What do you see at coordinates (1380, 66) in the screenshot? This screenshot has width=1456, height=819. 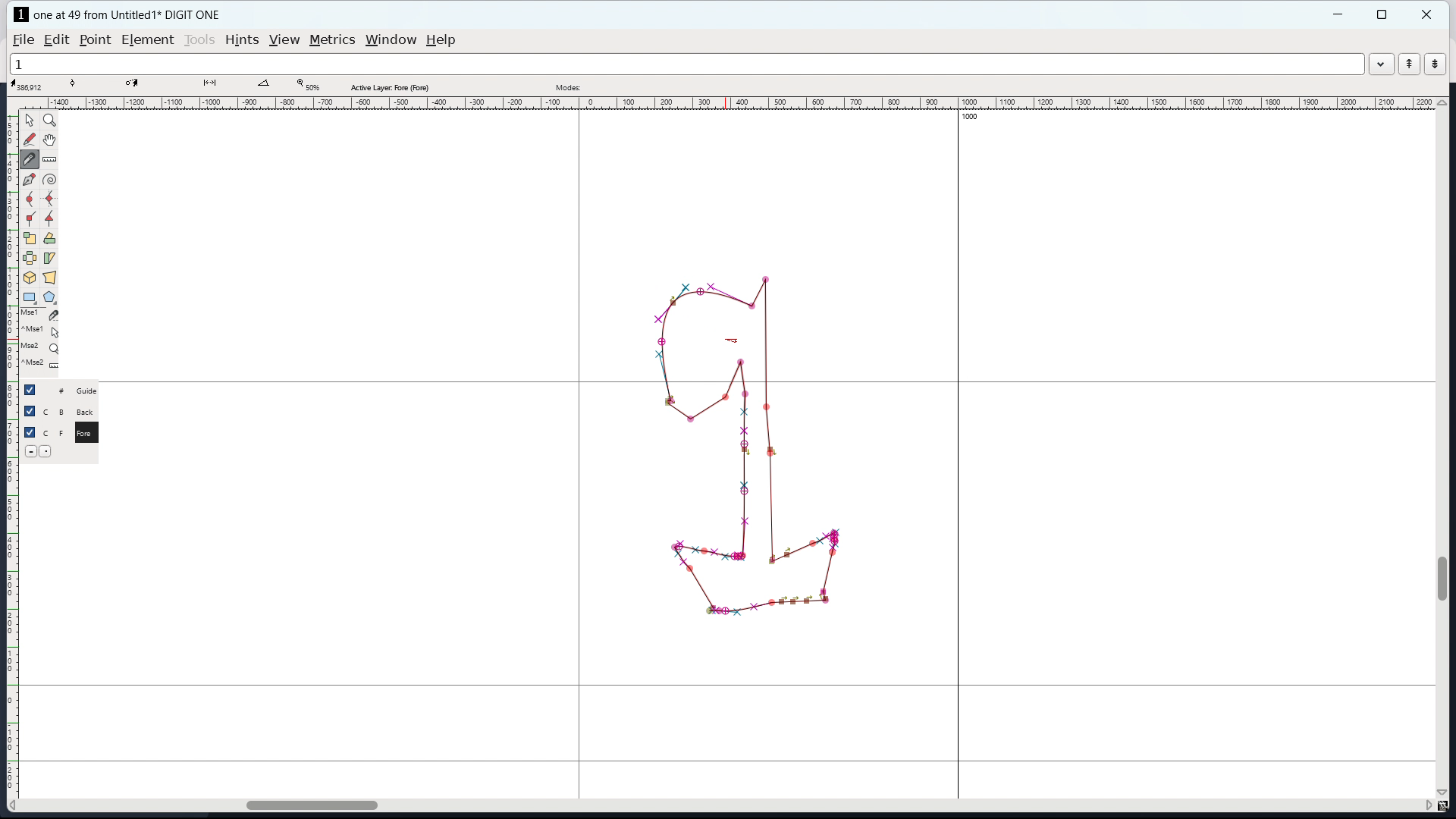 I see `expand` at bounding box center [1380, 66].